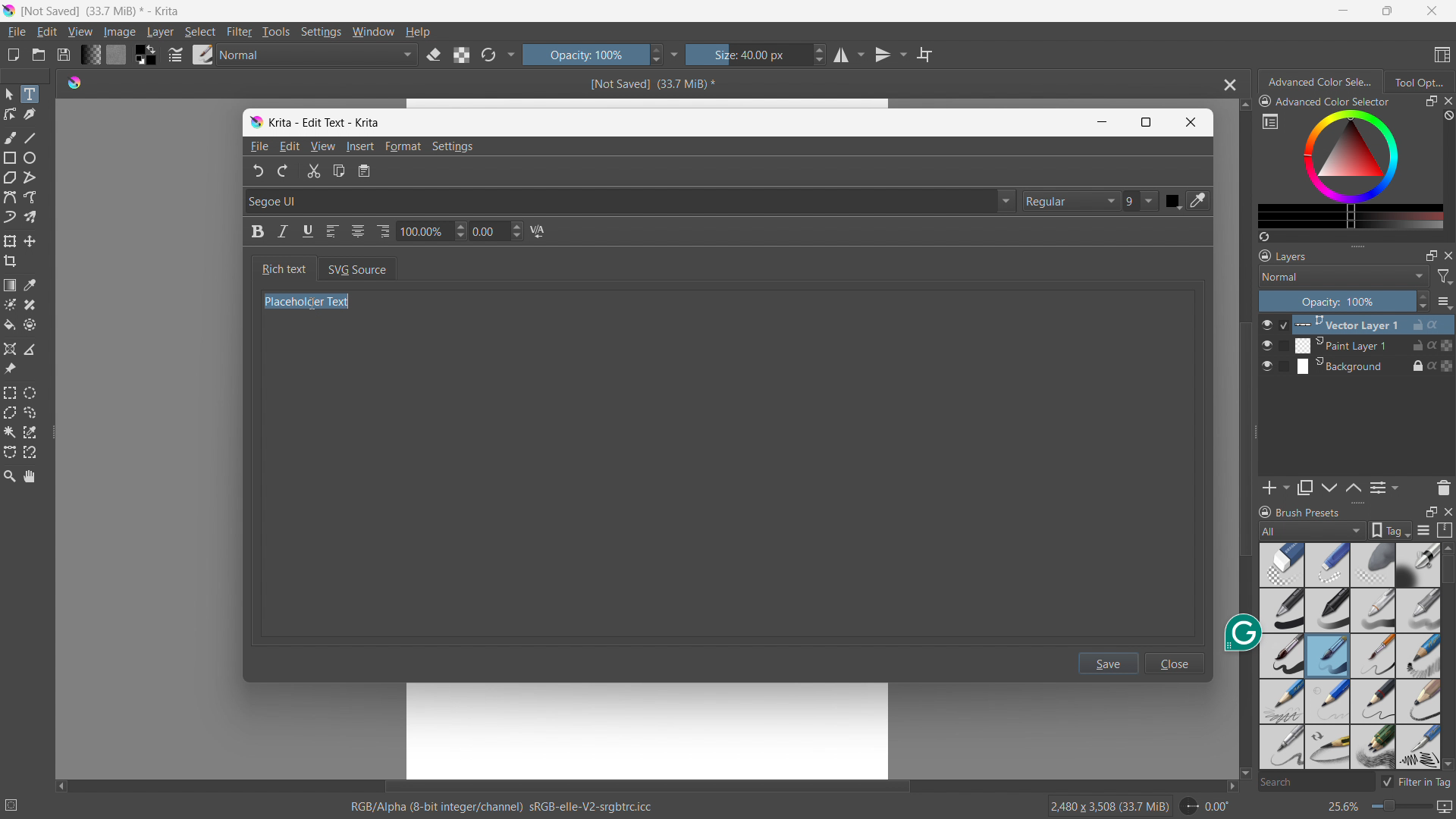  What do you see at coordinates (30, 432) in the screenshot?
I see `same color selection tool` at bounding box center [30, 432].